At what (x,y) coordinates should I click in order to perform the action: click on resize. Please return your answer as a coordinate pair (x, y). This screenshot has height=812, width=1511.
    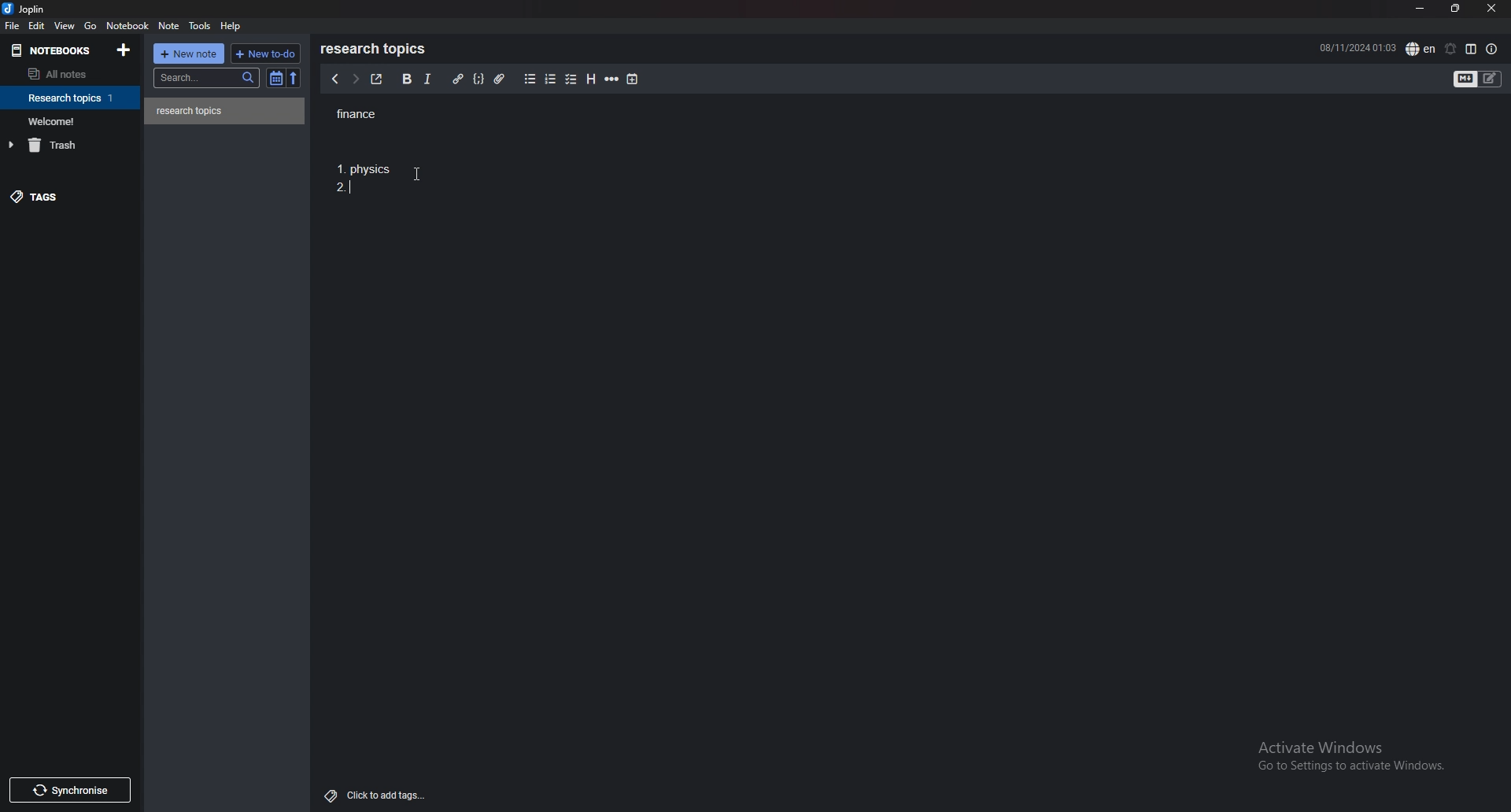
    Looking at the image, I should click on (1454, 8).